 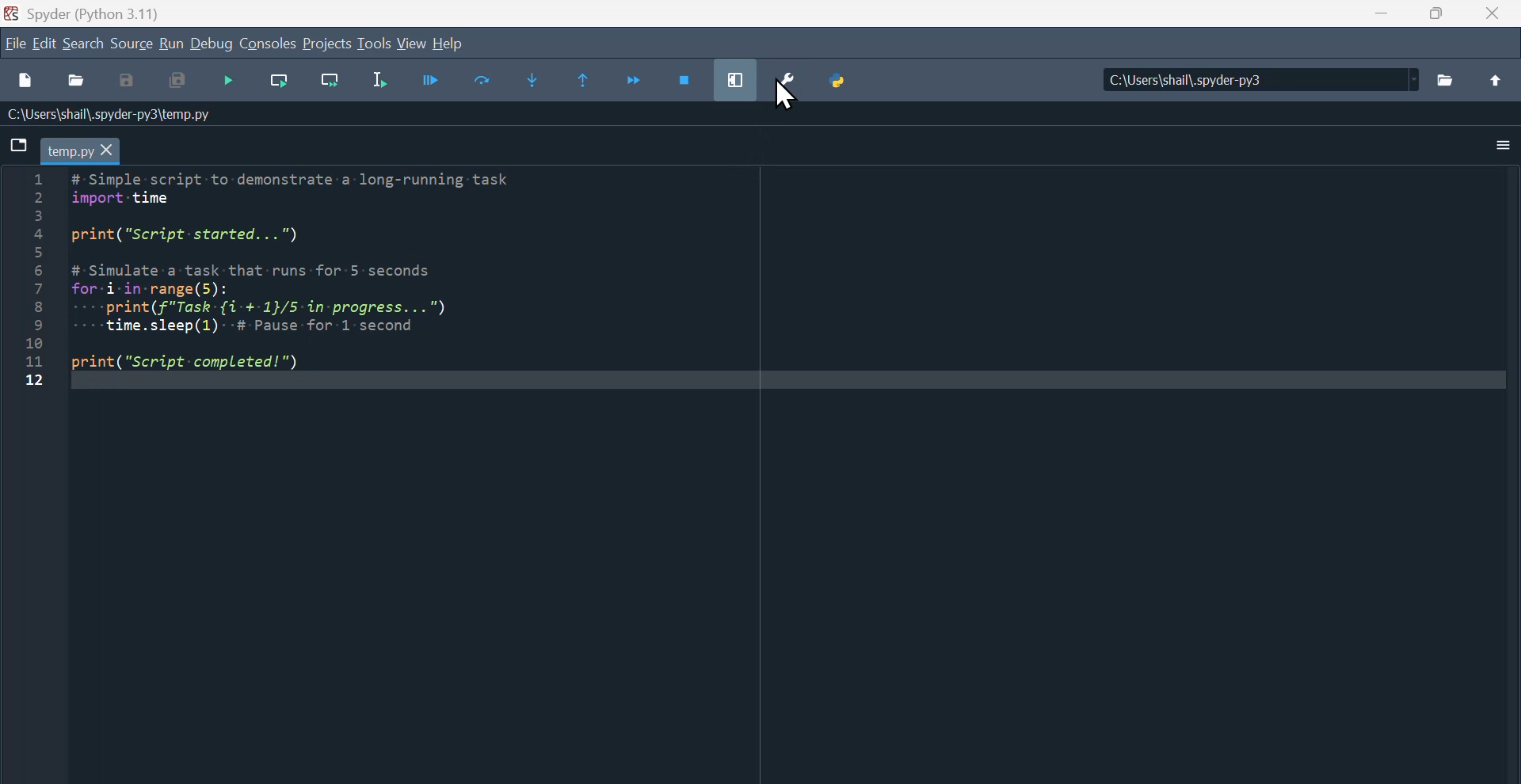 What do you see at coordinates (330, 83) in the screenshot?
I see `Run current line and go to the next one` at bounding box center [330, 83].